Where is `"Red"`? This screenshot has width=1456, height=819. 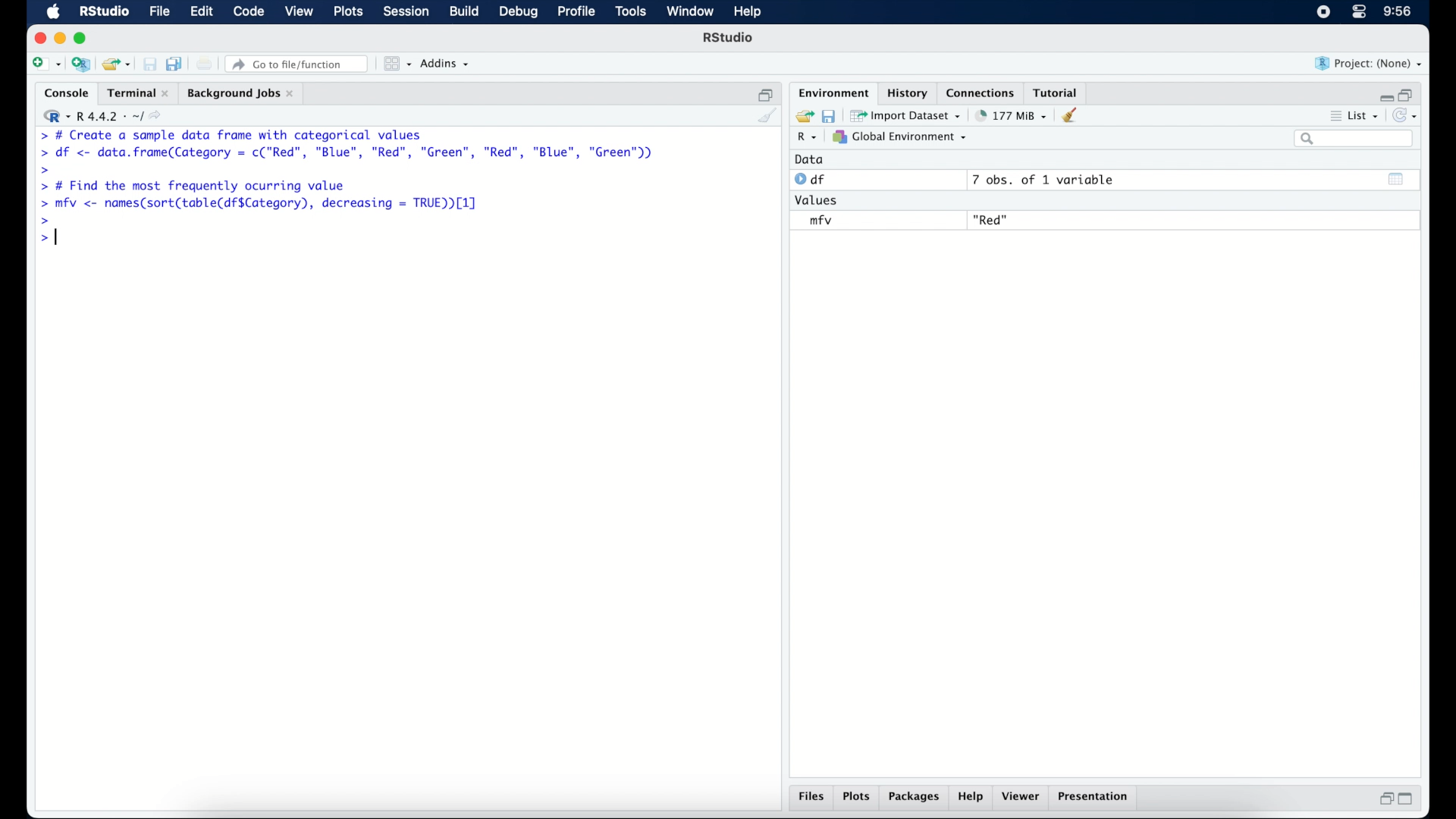
"Red" is located at coordinates (992, 218).